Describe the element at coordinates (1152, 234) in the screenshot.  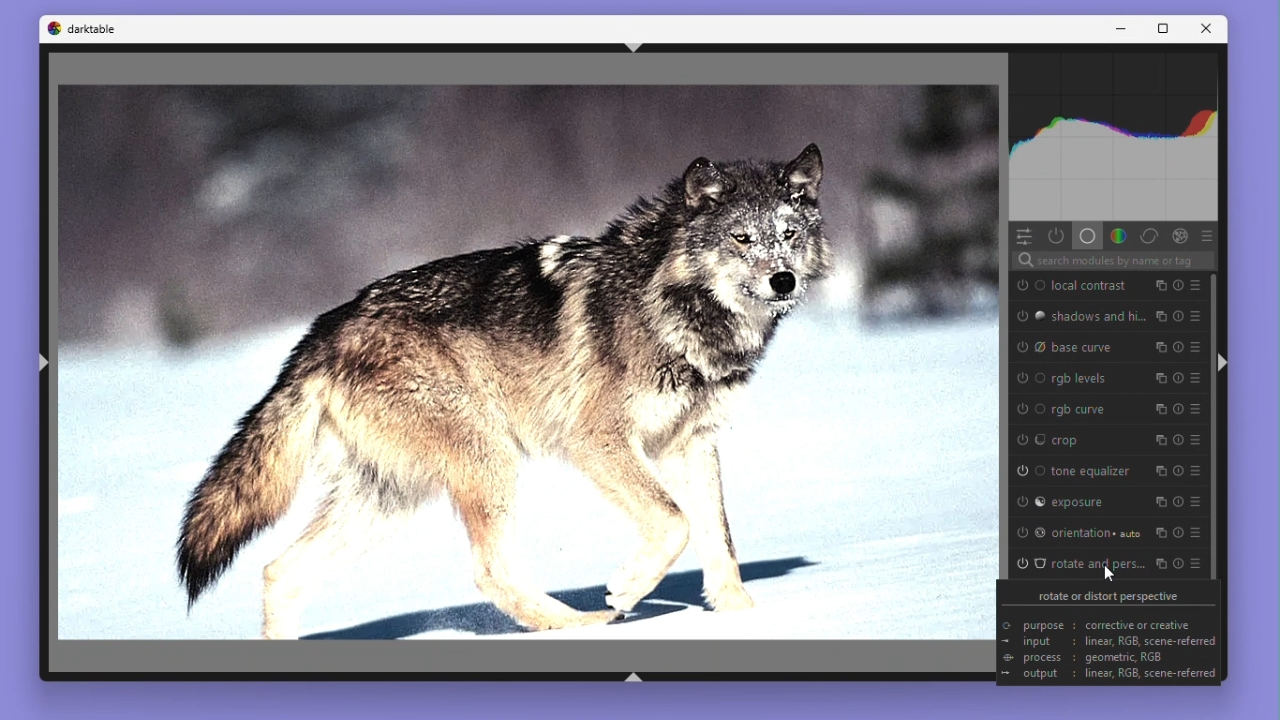
I see `Correct` at that location.